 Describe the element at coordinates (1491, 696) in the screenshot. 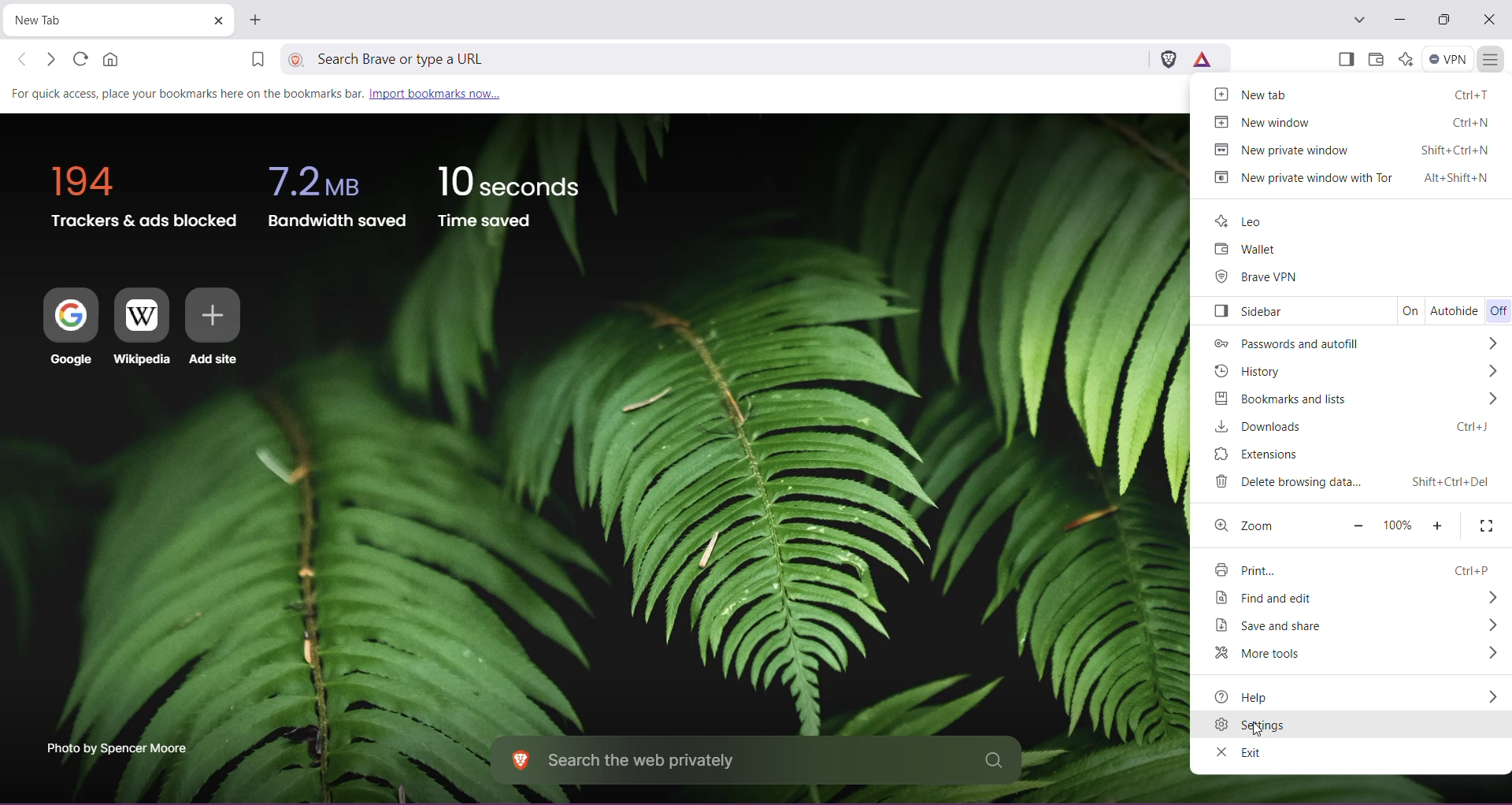

I see `More options` at that location.